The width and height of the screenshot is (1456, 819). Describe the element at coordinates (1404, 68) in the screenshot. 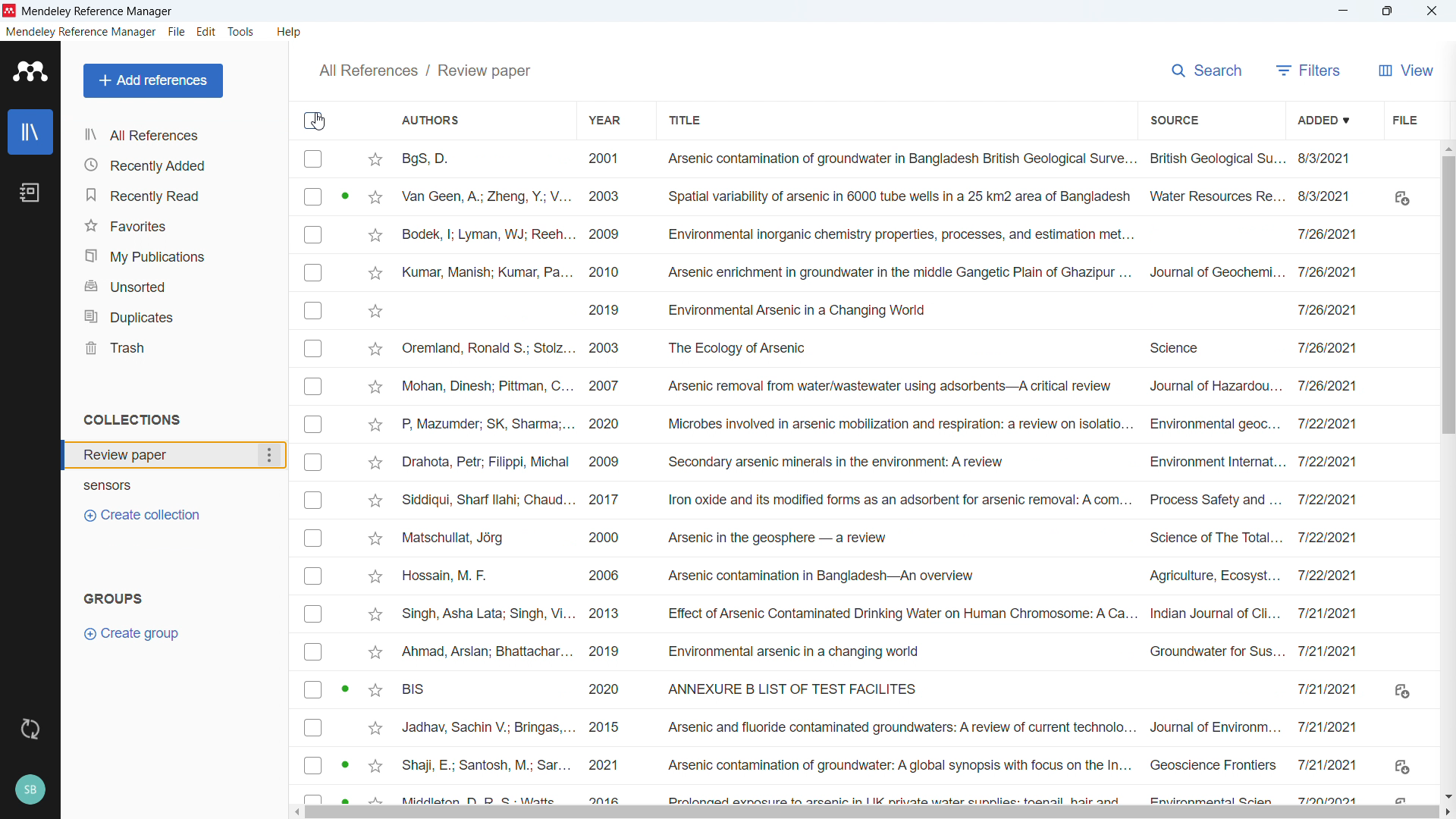

I see `view ` at that location.